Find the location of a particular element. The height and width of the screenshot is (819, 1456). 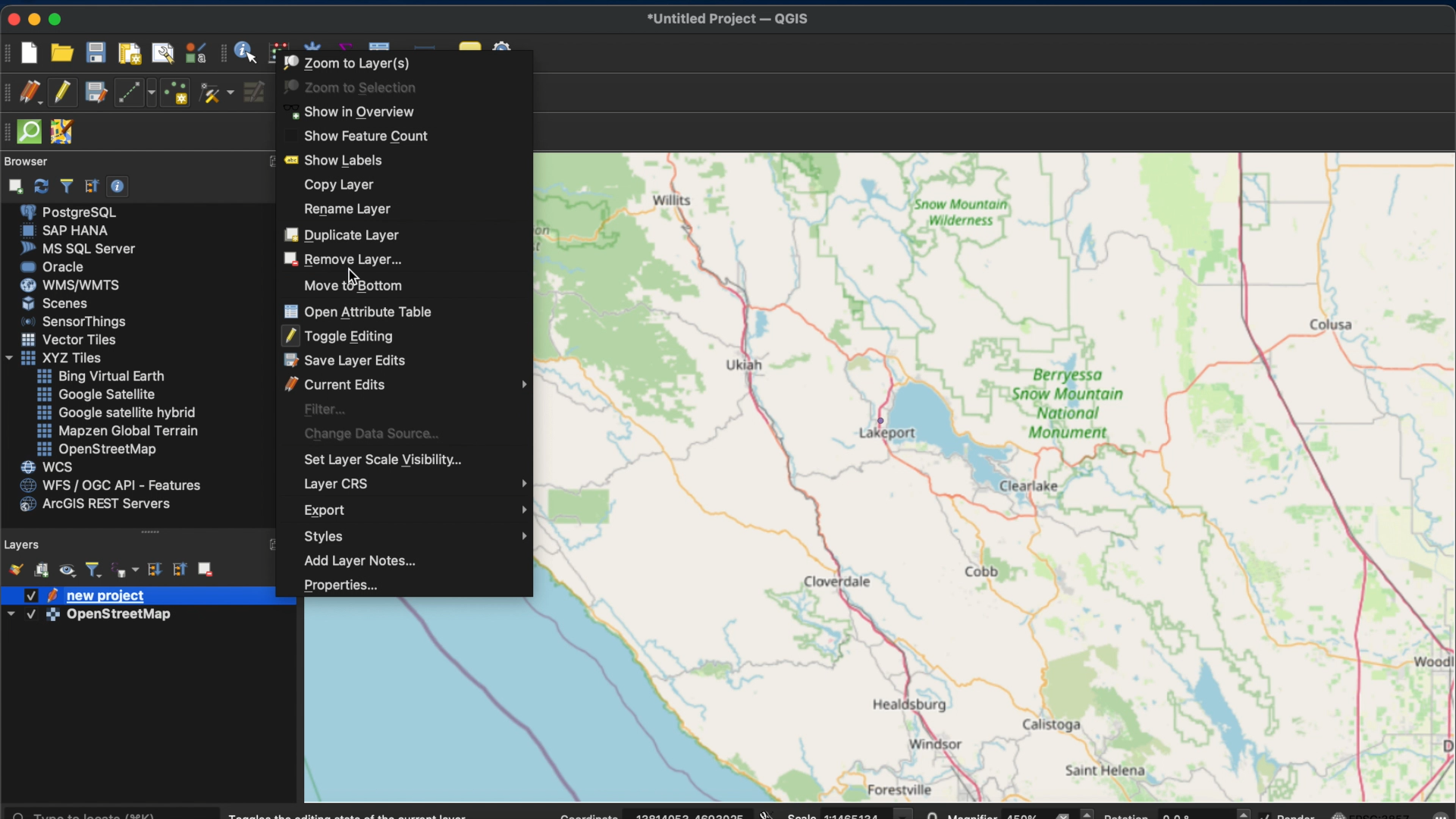

project toolbar is located at coordinates (9, 52).